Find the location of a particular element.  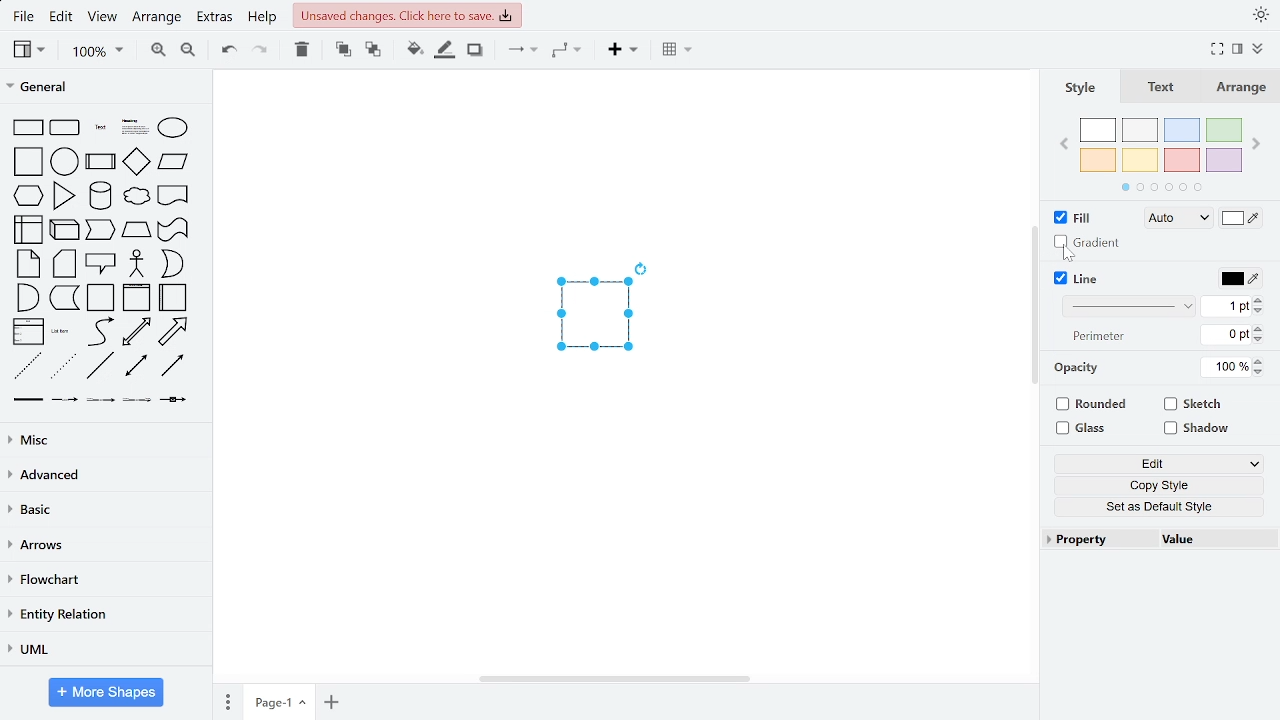

line style is located at coordinates (1130, 305).